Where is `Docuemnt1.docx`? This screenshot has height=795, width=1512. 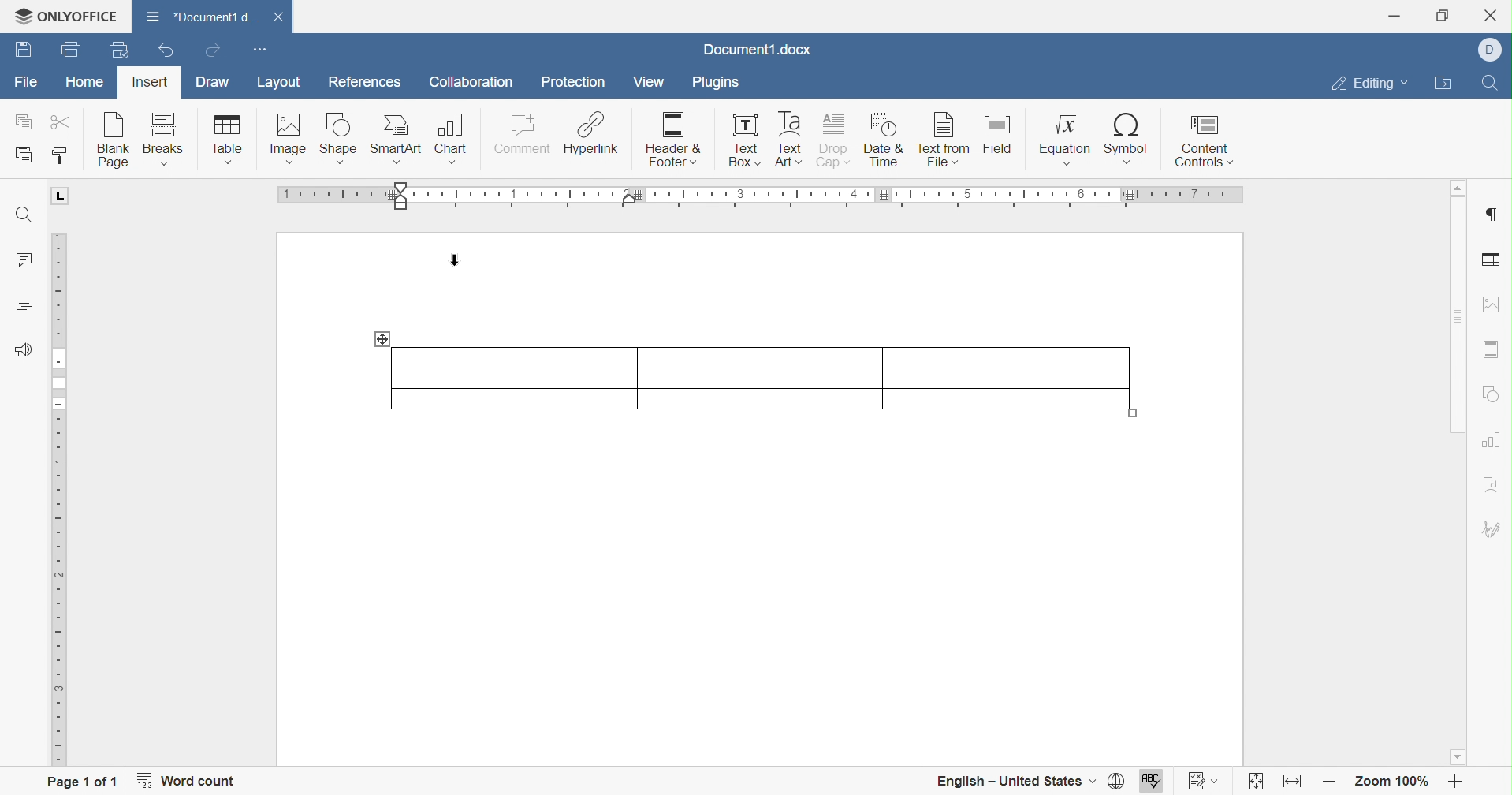
Docuemnt1.docx is located at coordinates (758, 50).